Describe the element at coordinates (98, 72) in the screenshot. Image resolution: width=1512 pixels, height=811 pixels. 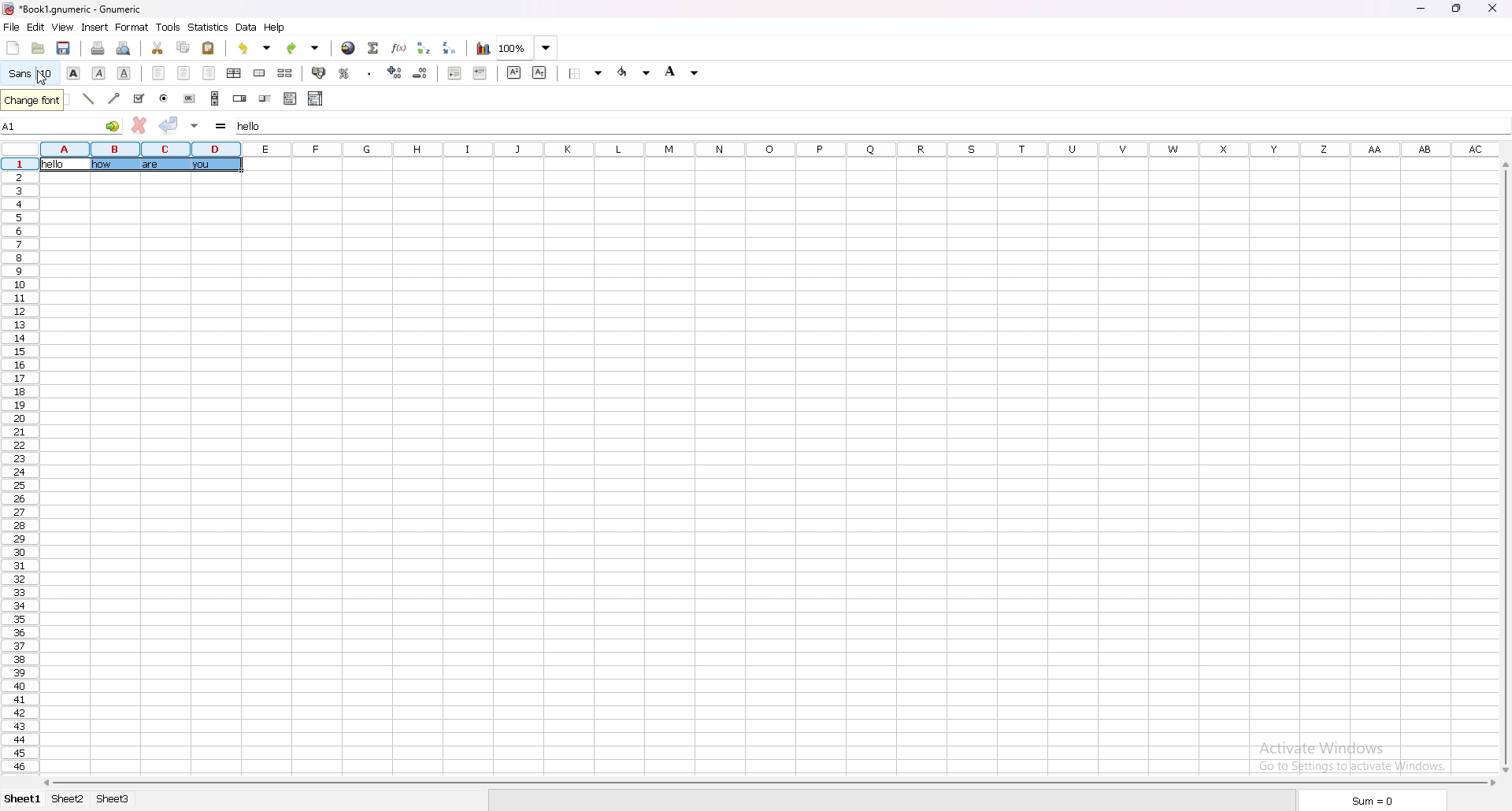
I see `italic` at that location.